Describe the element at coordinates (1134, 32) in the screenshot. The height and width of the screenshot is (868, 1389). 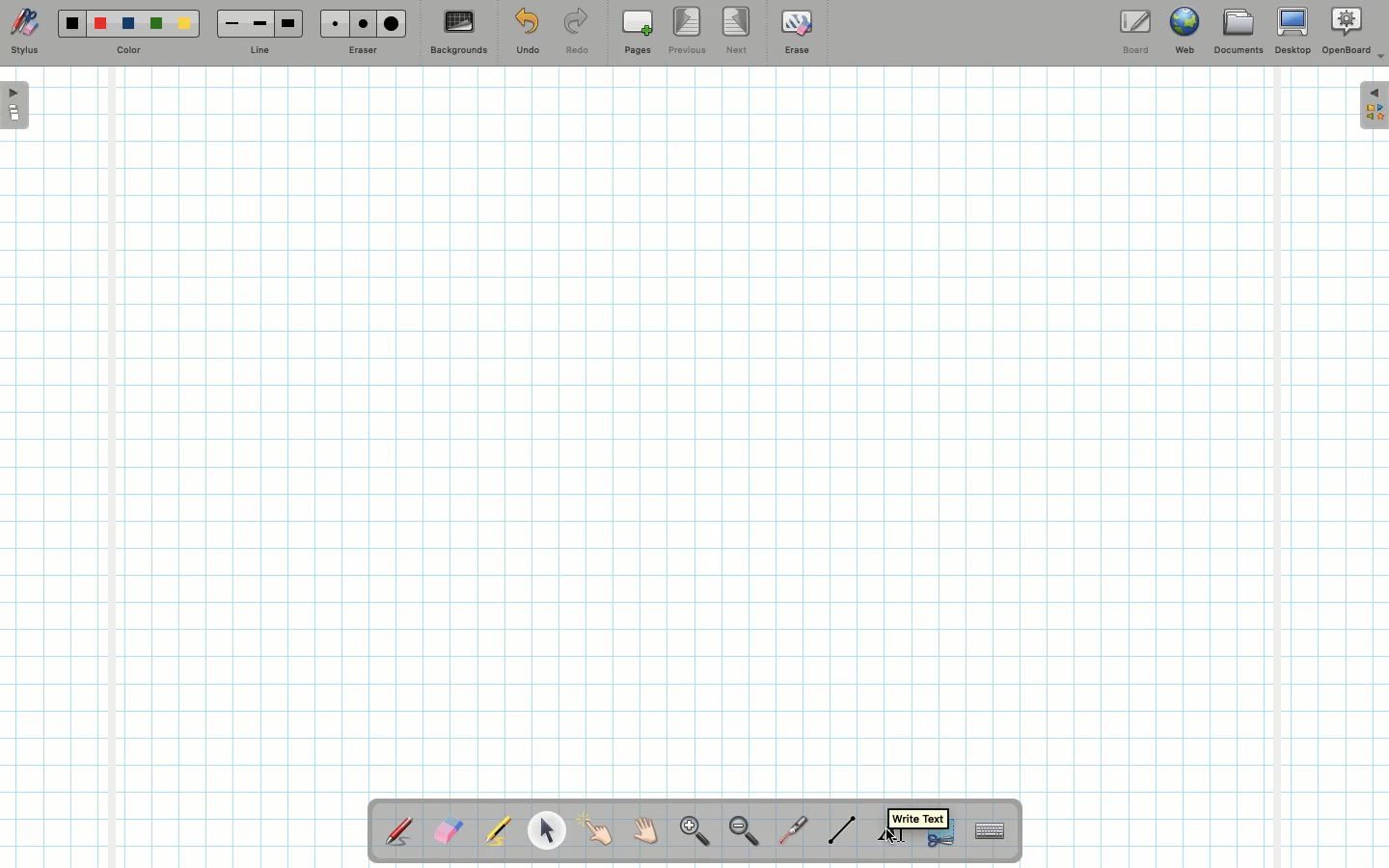
I see `Board` at that location.